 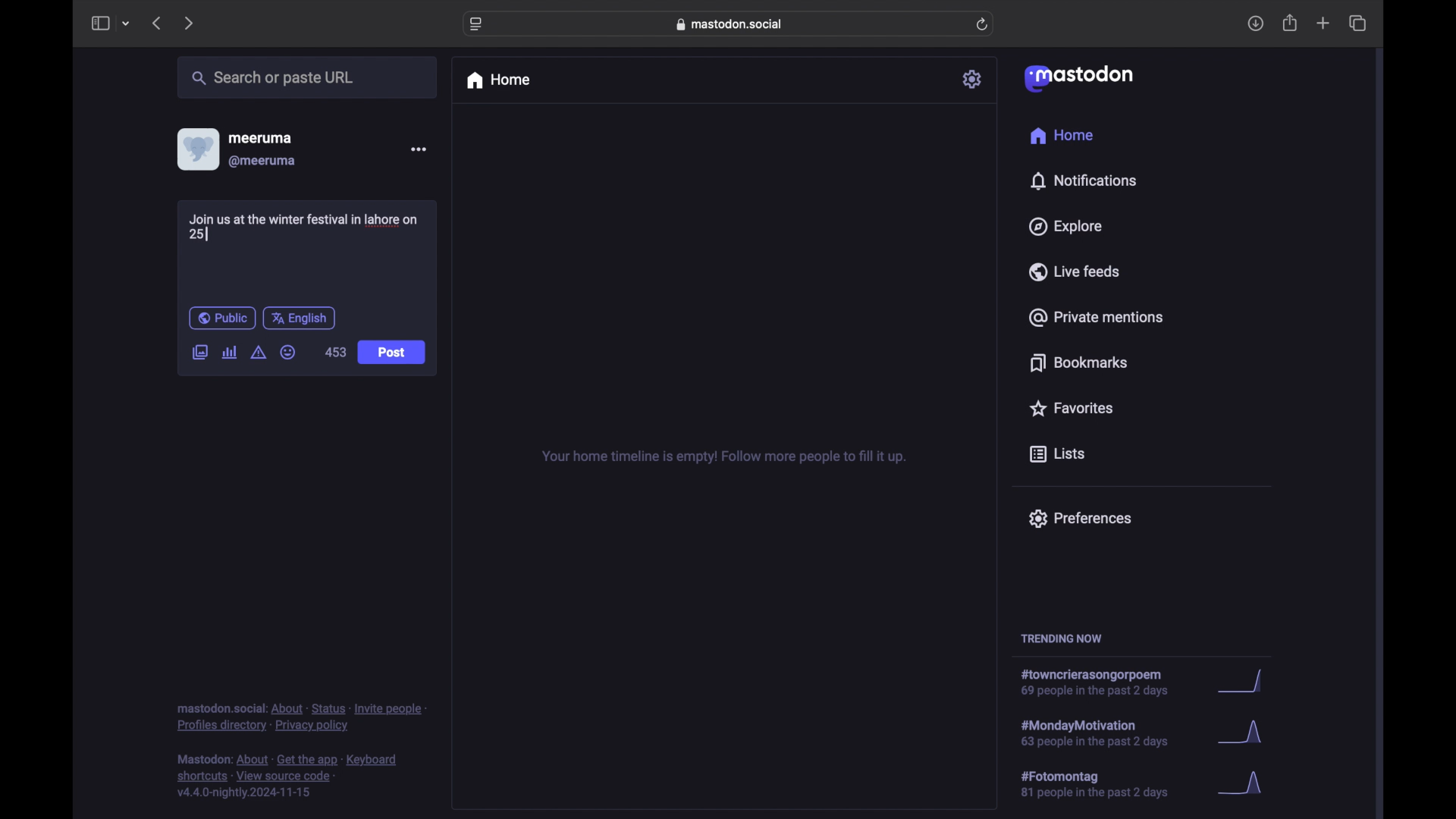 I want to click on display picture, so click(x=196, y=149).